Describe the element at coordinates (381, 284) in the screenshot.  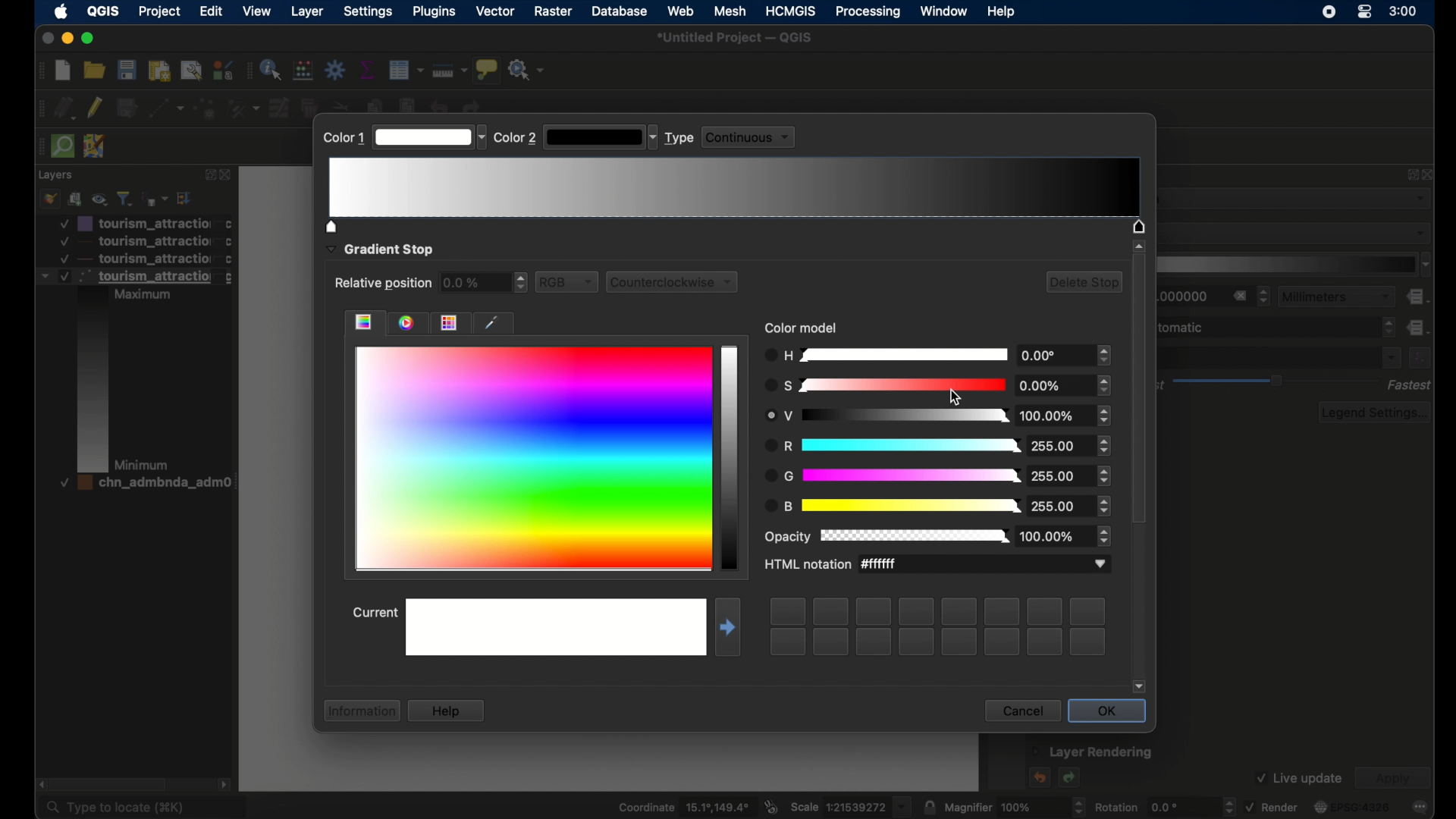
I see `relative position` at that location.